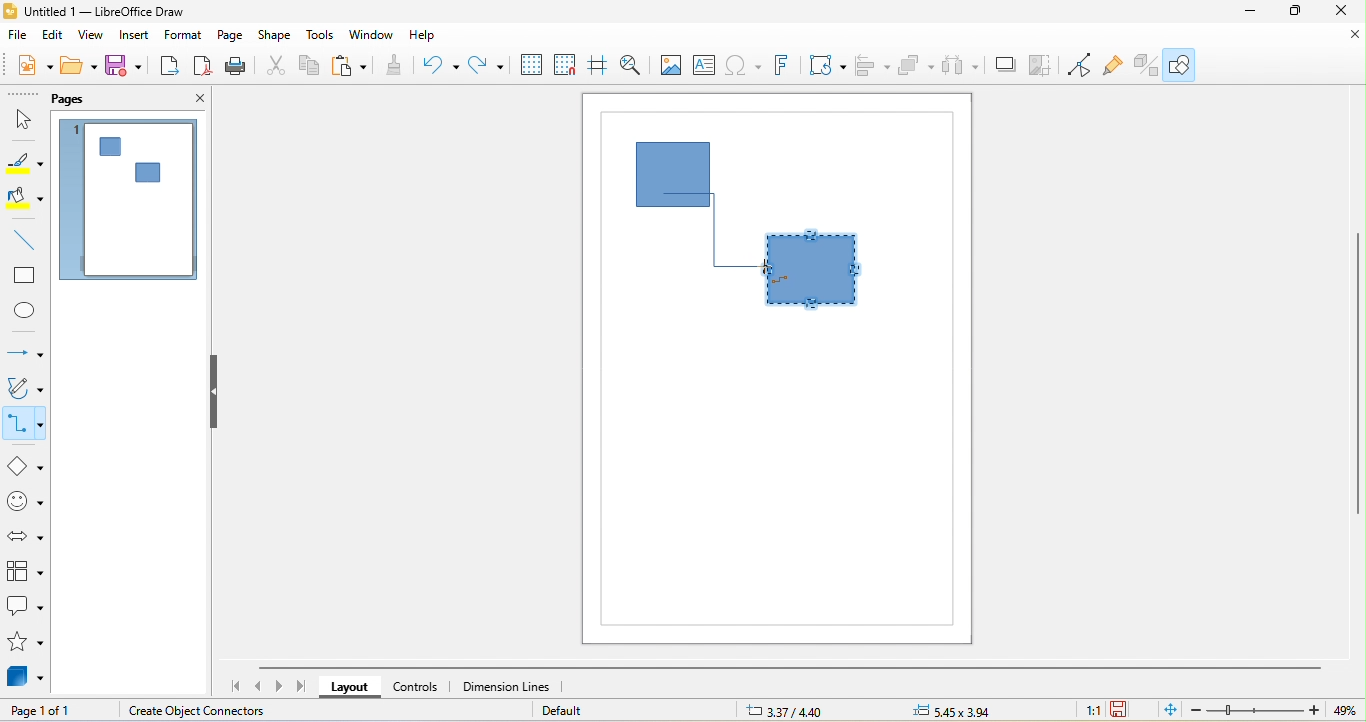 The image size is (1366, 722). I want to click on display grid, so click(531, 65).